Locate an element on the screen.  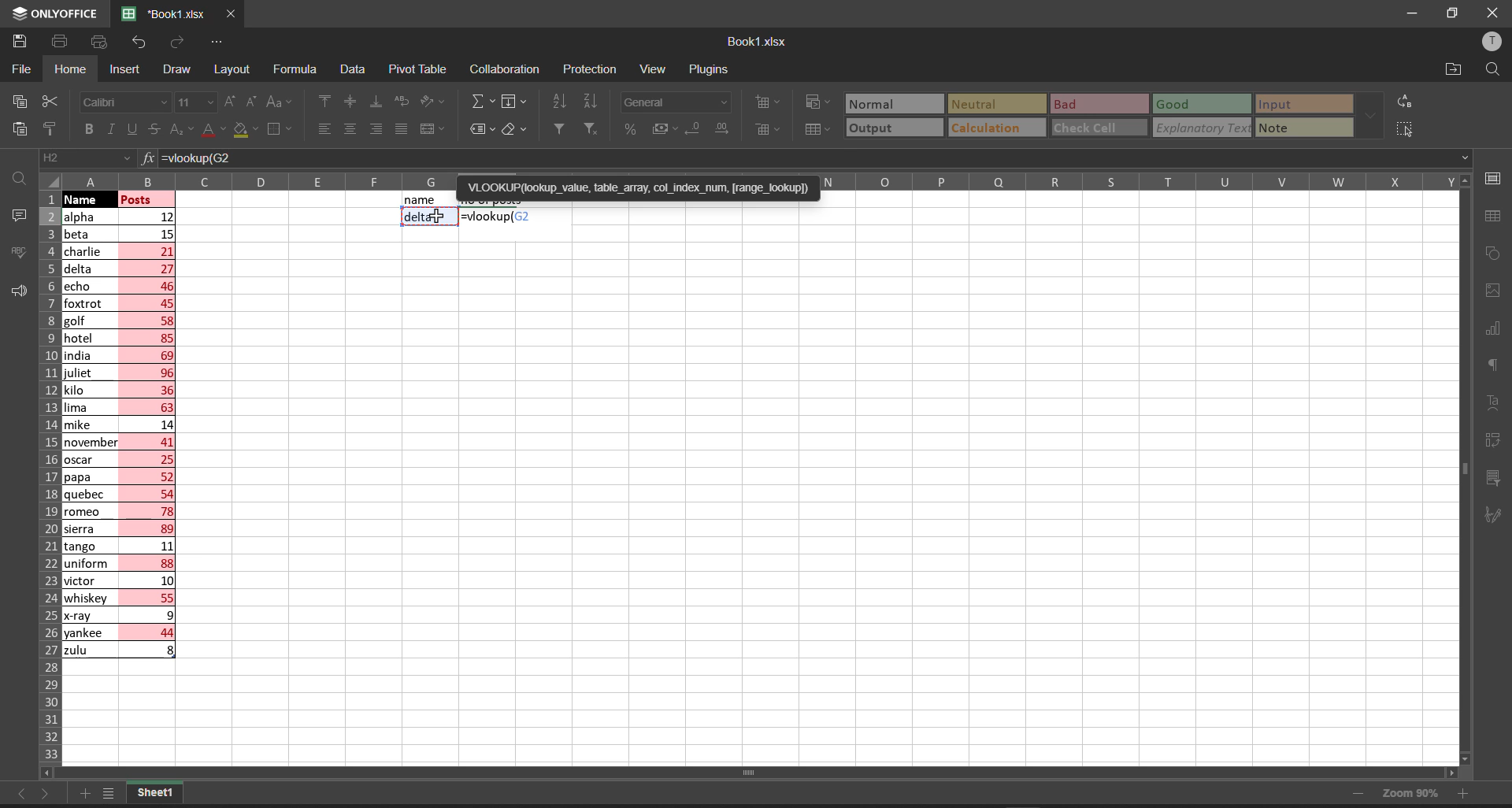
font color is located at coordinates (212, 129).